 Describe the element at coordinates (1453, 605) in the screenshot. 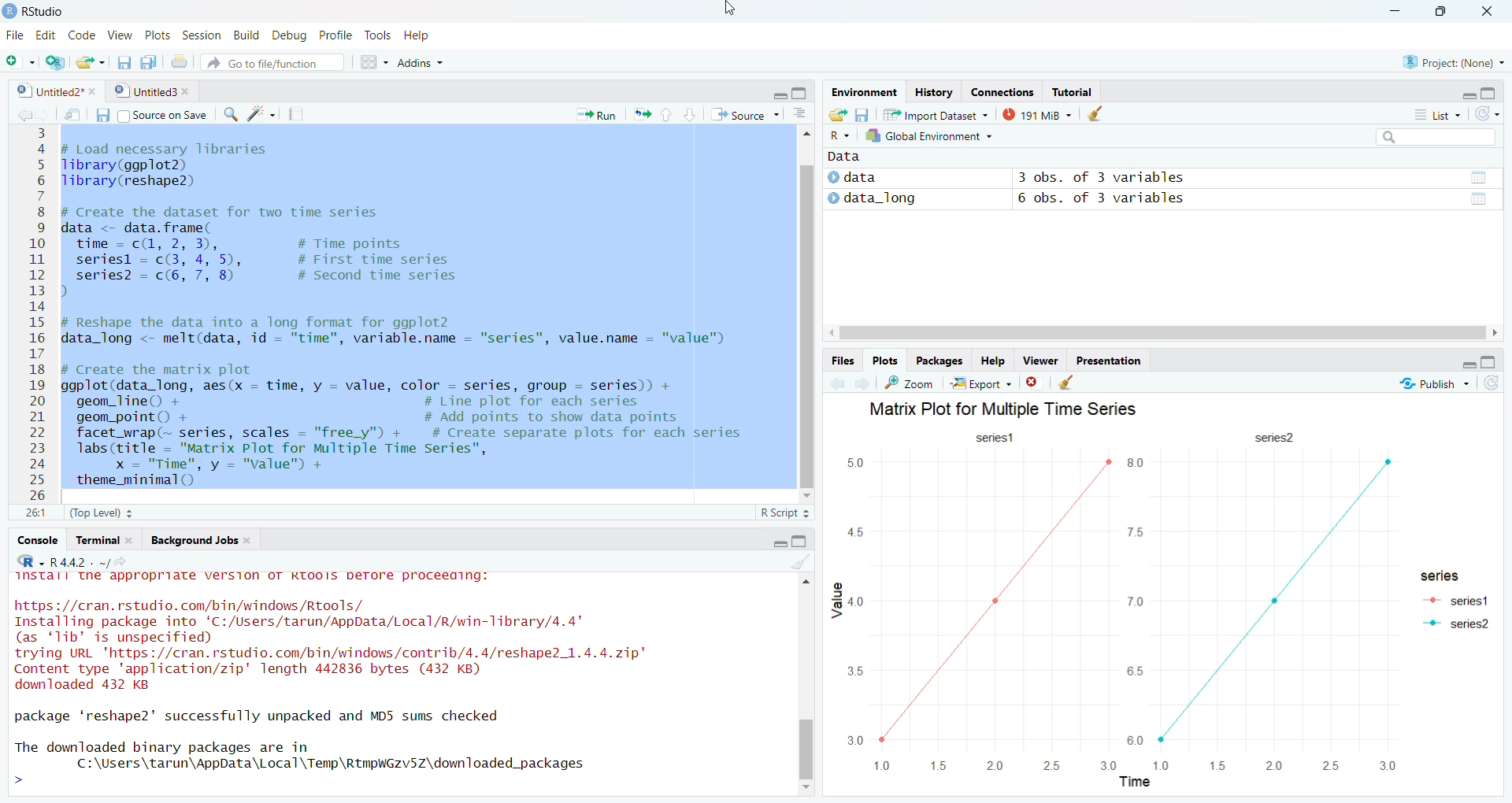

I see `series+ series!+ series` at that location.